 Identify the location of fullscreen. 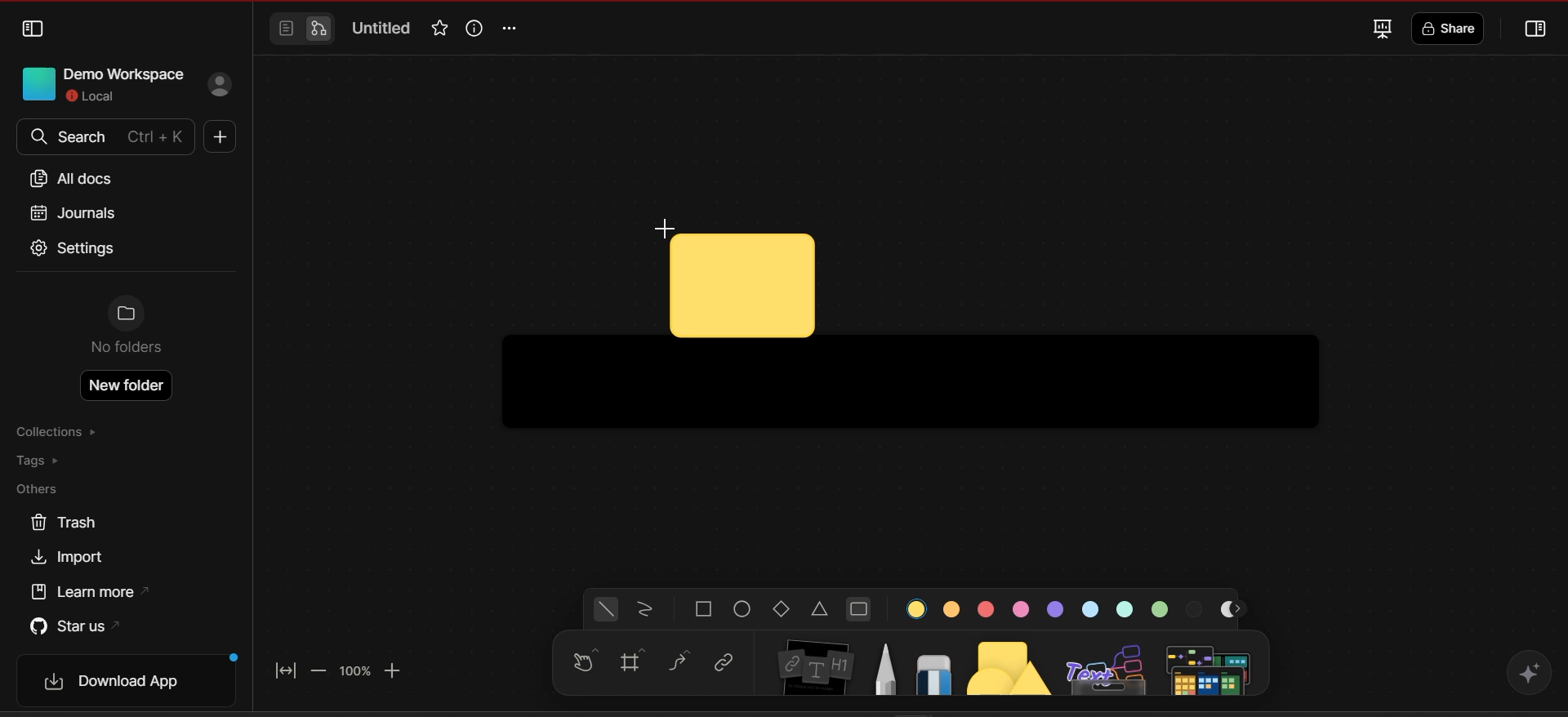
(1380, 28).